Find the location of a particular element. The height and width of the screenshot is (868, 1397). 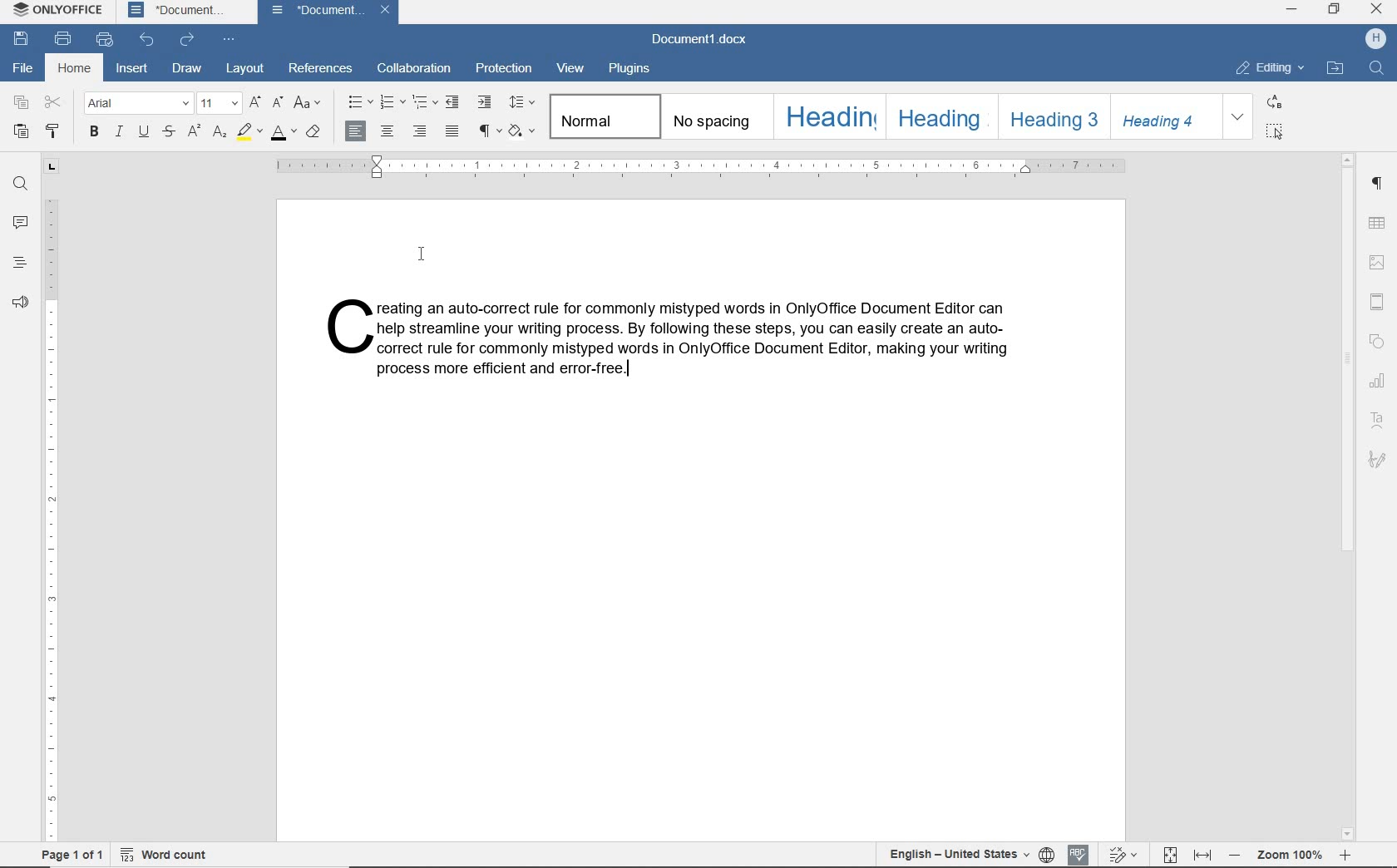

JUSTIFIED is located at coordinates (453, 132).